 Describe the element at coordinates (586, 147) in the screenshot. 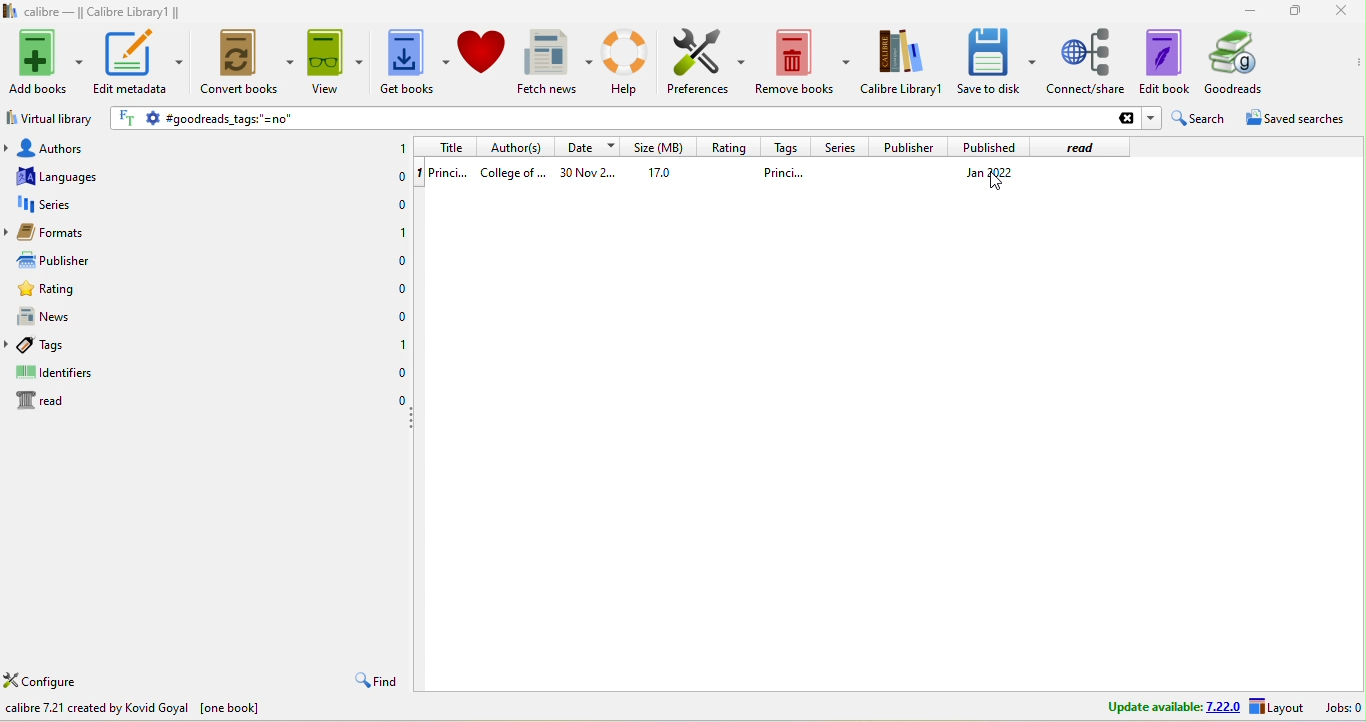

I see `date` at that location.